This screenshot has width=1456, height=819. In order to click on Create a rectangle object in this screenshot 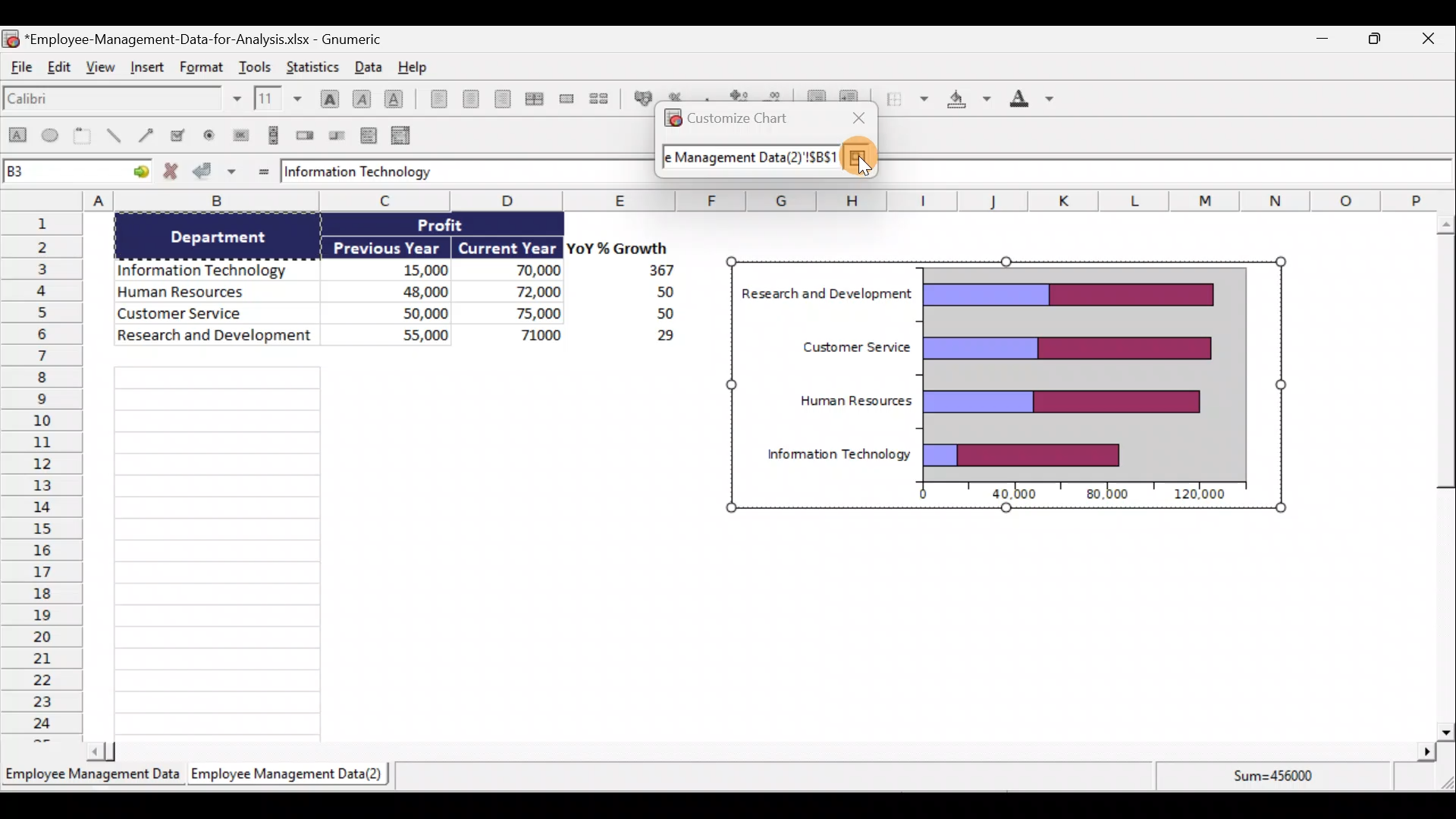, I will do `click(17, 139)`.